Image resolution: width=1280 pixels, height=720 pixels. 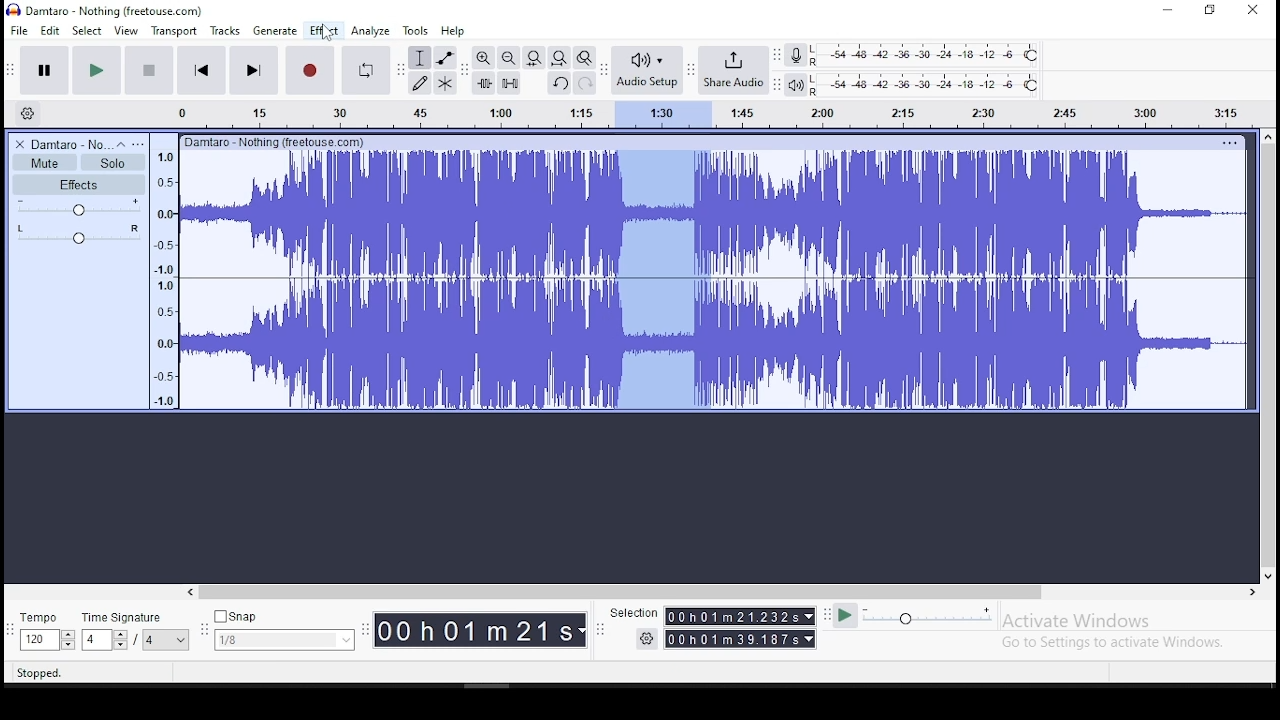 What do you see at coordinates (120, 144) in the screenshot?
I see `collapse` at bounding box center [120, 144].